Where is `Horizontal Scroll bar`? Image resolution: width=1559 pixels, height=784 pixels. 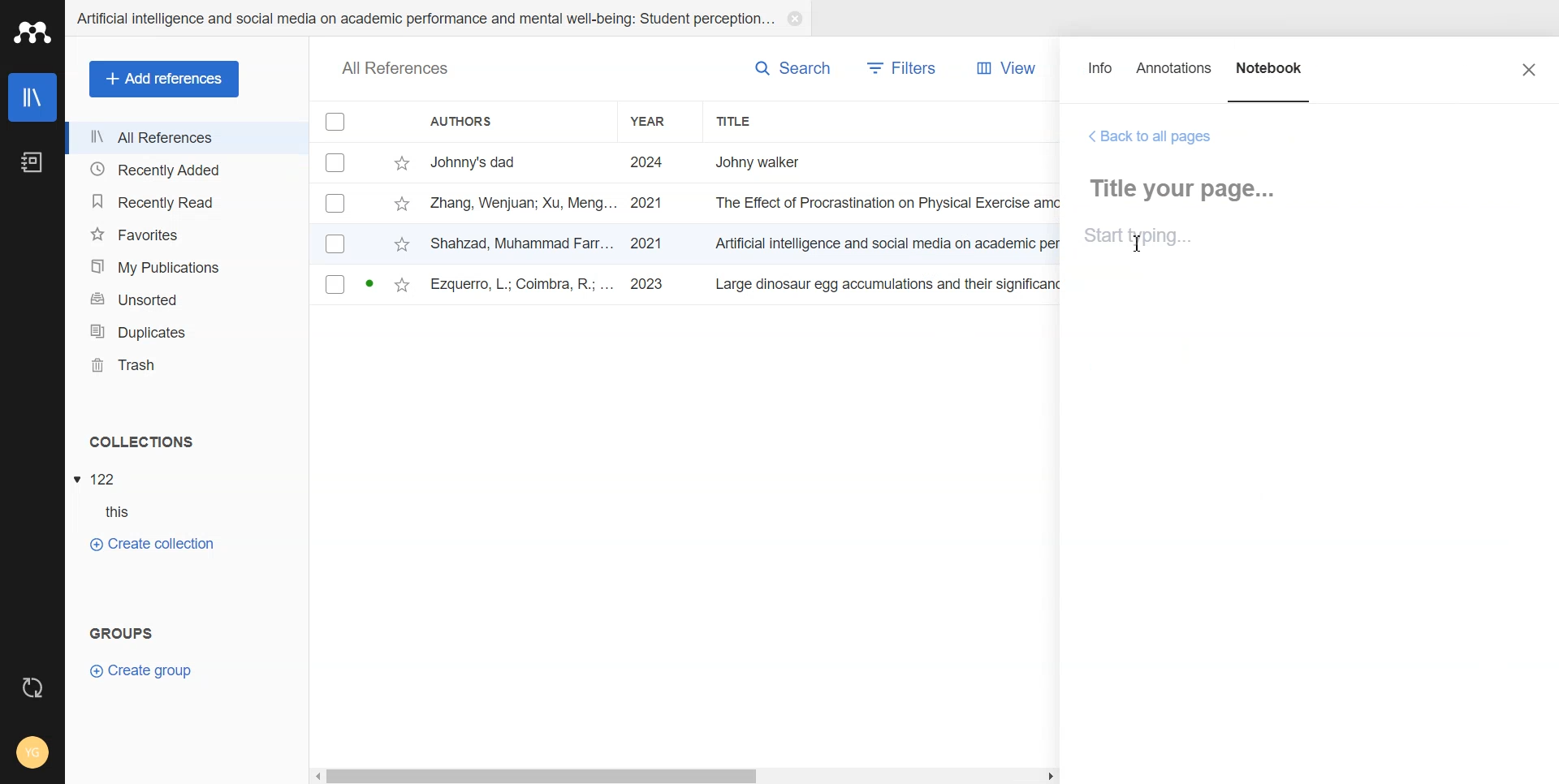
Horizontal Scroll bar is located at coordinates (686, 774).